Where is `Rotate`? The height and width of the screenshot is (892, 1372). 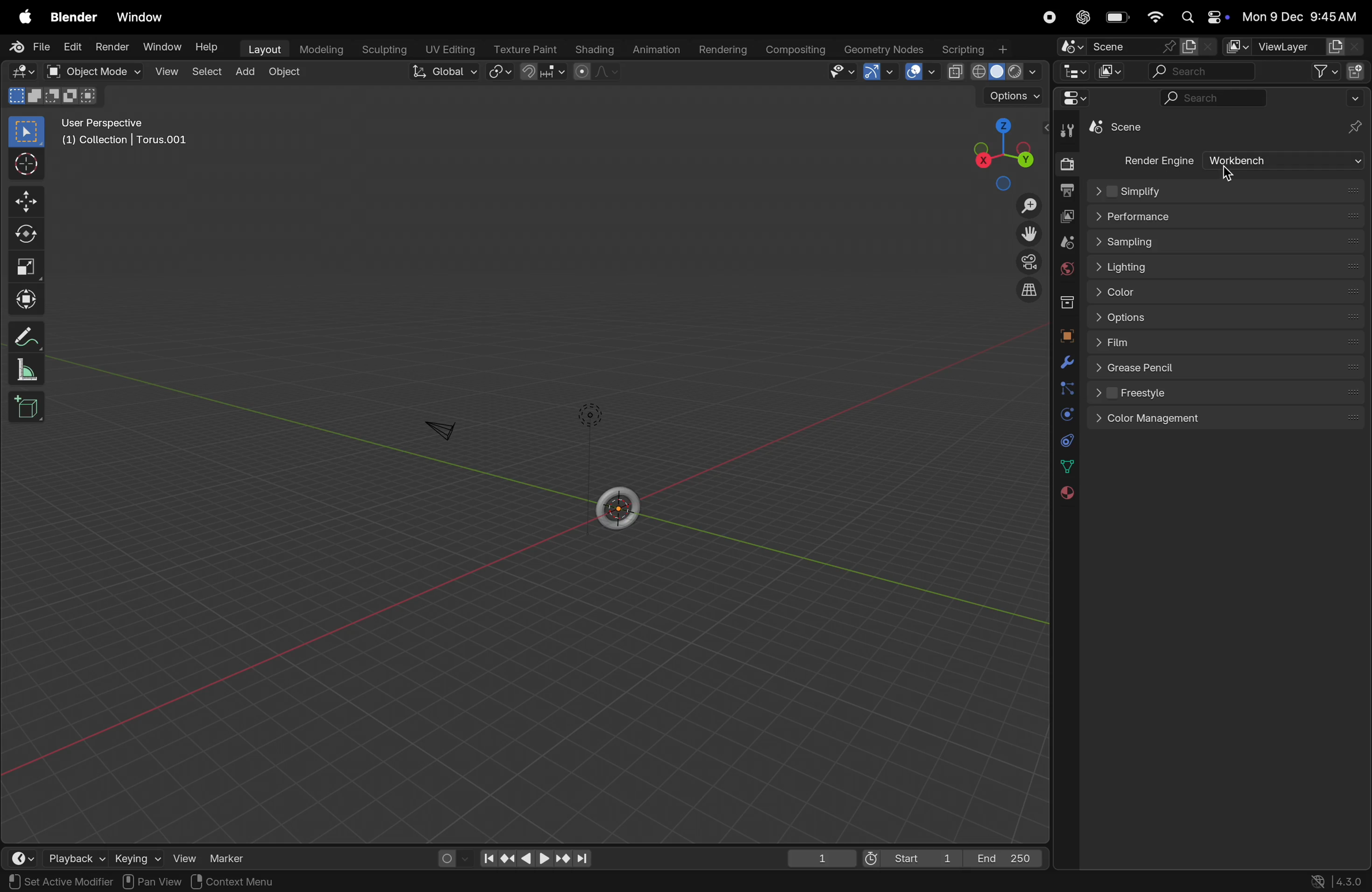 Rotate is located at coordinates (29, 235).